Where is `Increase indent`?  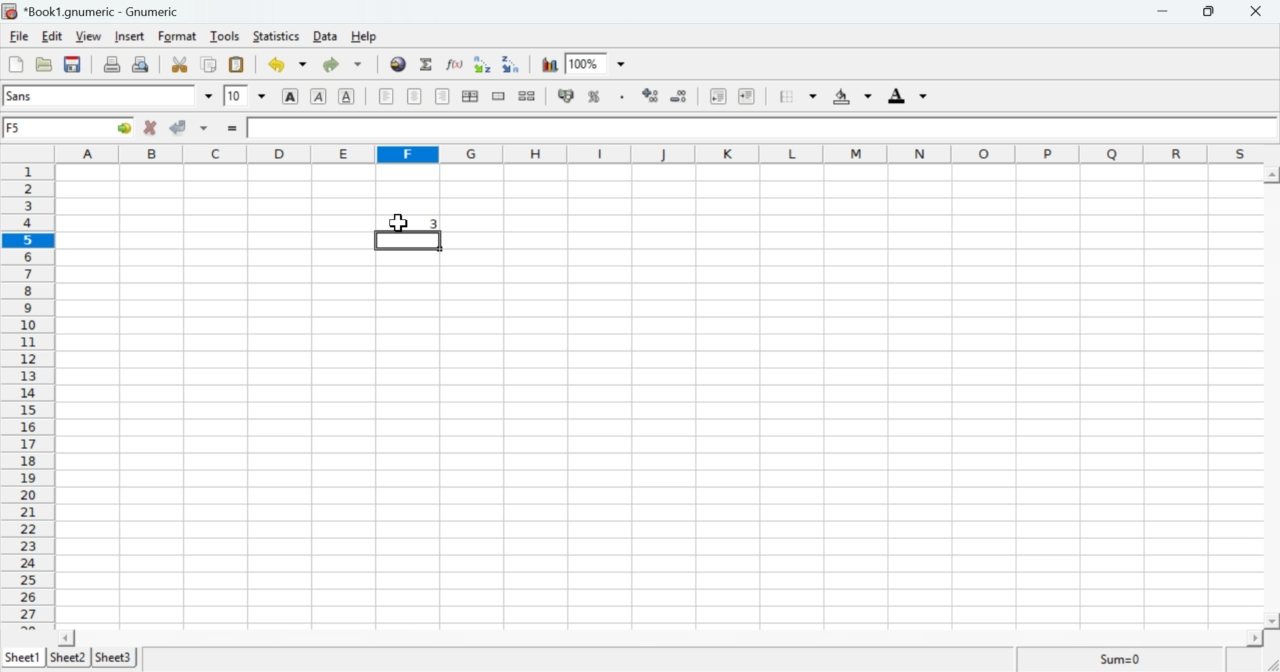 Increase indent is located at coordinates (746, 94).